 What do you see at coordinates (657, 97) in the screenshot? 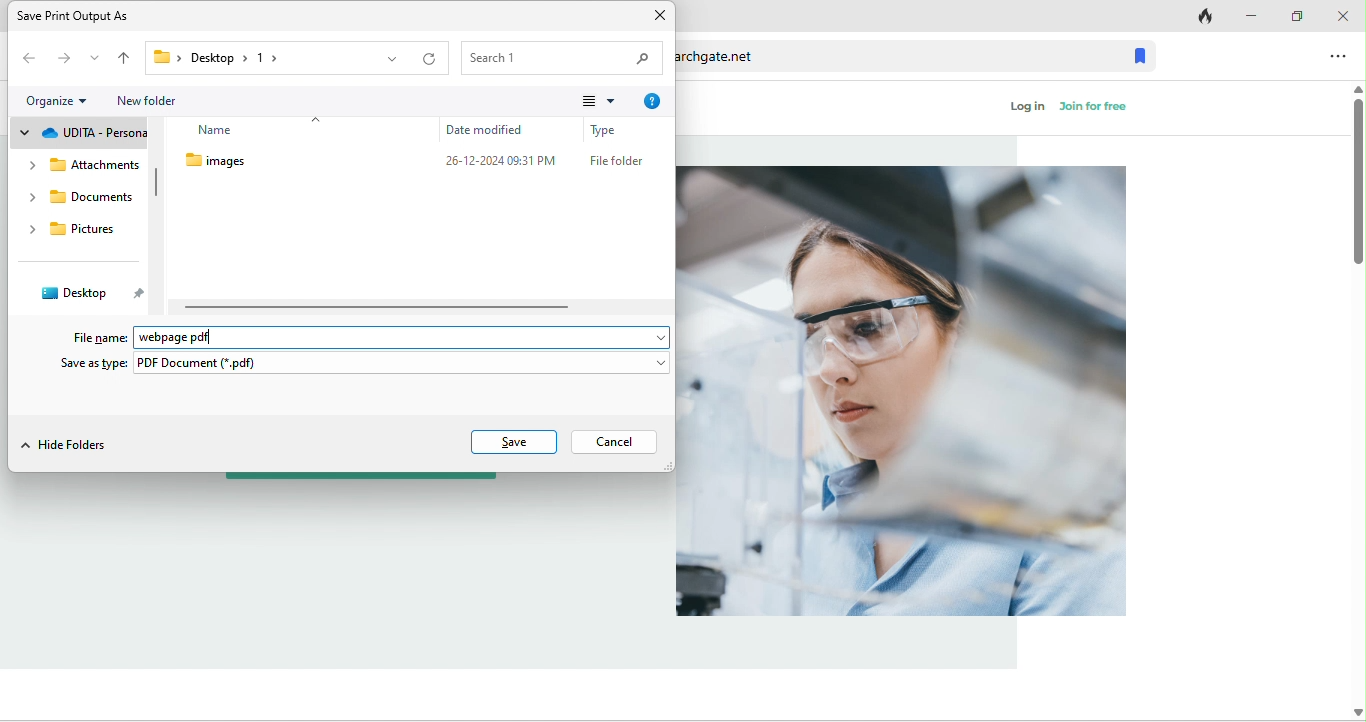
I see `help` at bounding box center [657, 97].